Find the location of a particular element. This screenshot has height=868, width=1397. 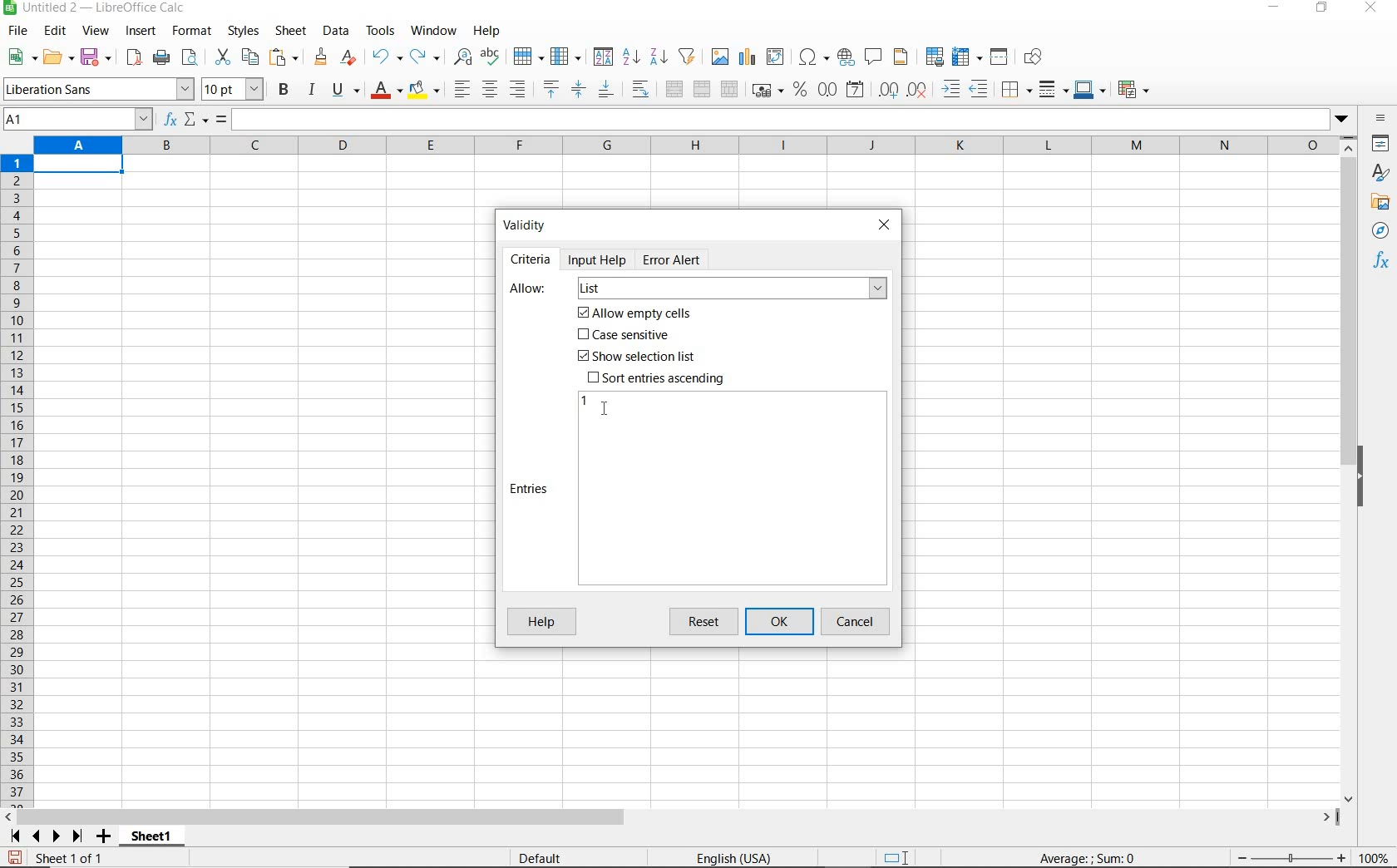

column is located at coordinates (567, 57).